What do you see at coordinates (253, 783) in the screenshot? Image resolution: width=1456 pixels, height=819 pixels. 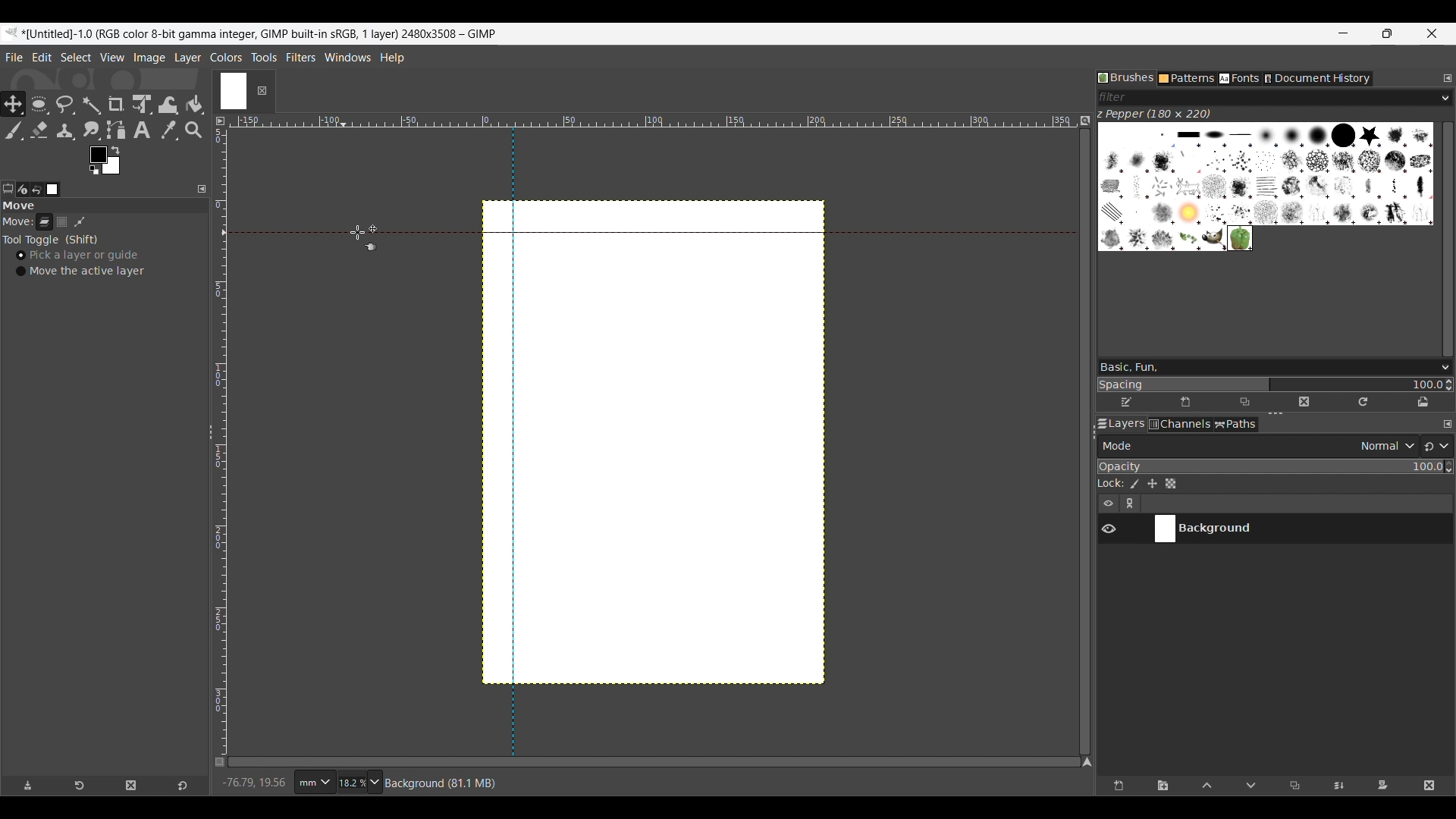 I see `Cursor co-ordinates changed` at bounding box center [253, 783].